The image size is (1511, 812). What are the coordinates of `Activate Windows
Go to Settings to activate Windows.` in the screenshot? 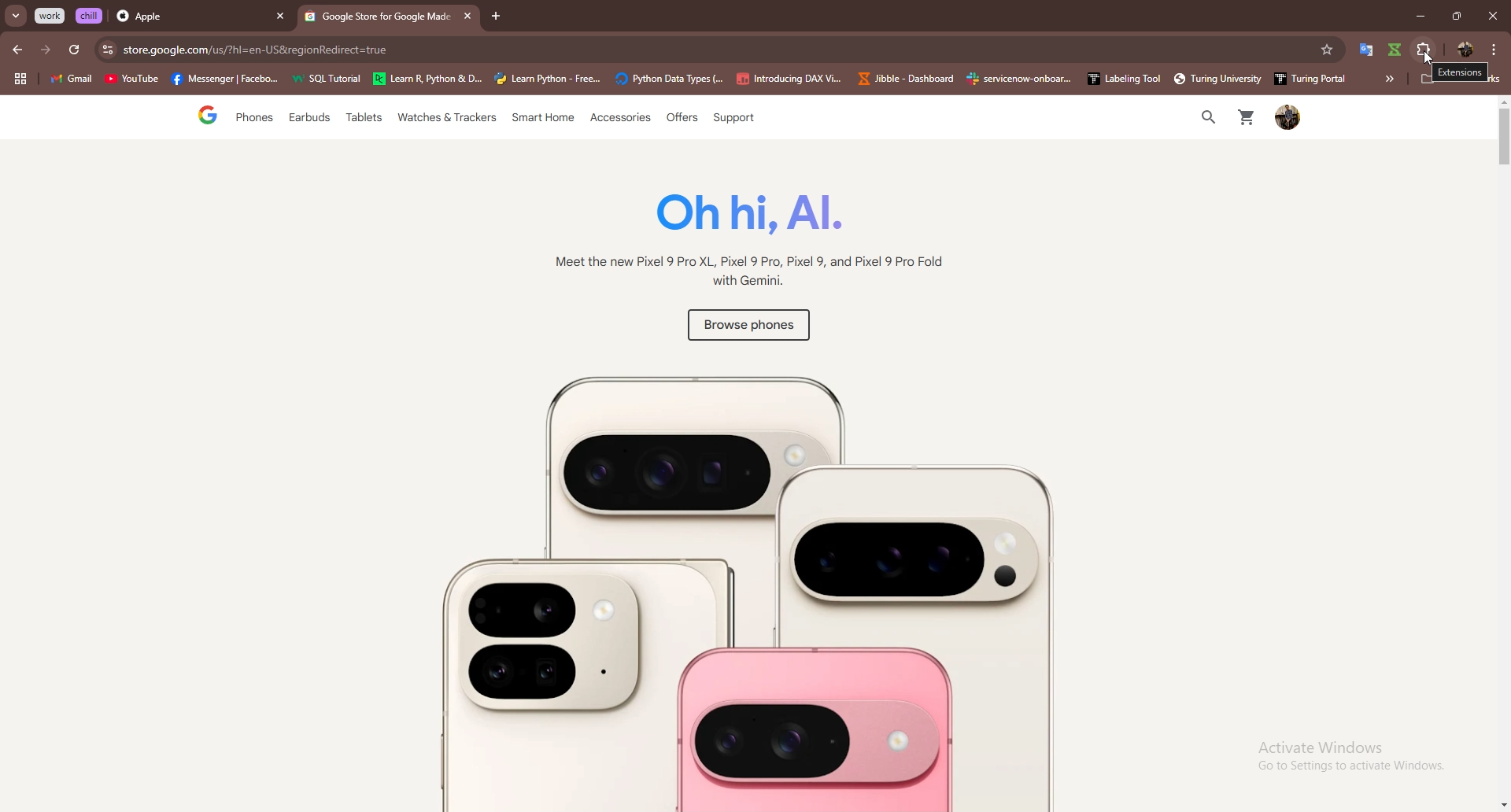 It's located at (1339, 756).